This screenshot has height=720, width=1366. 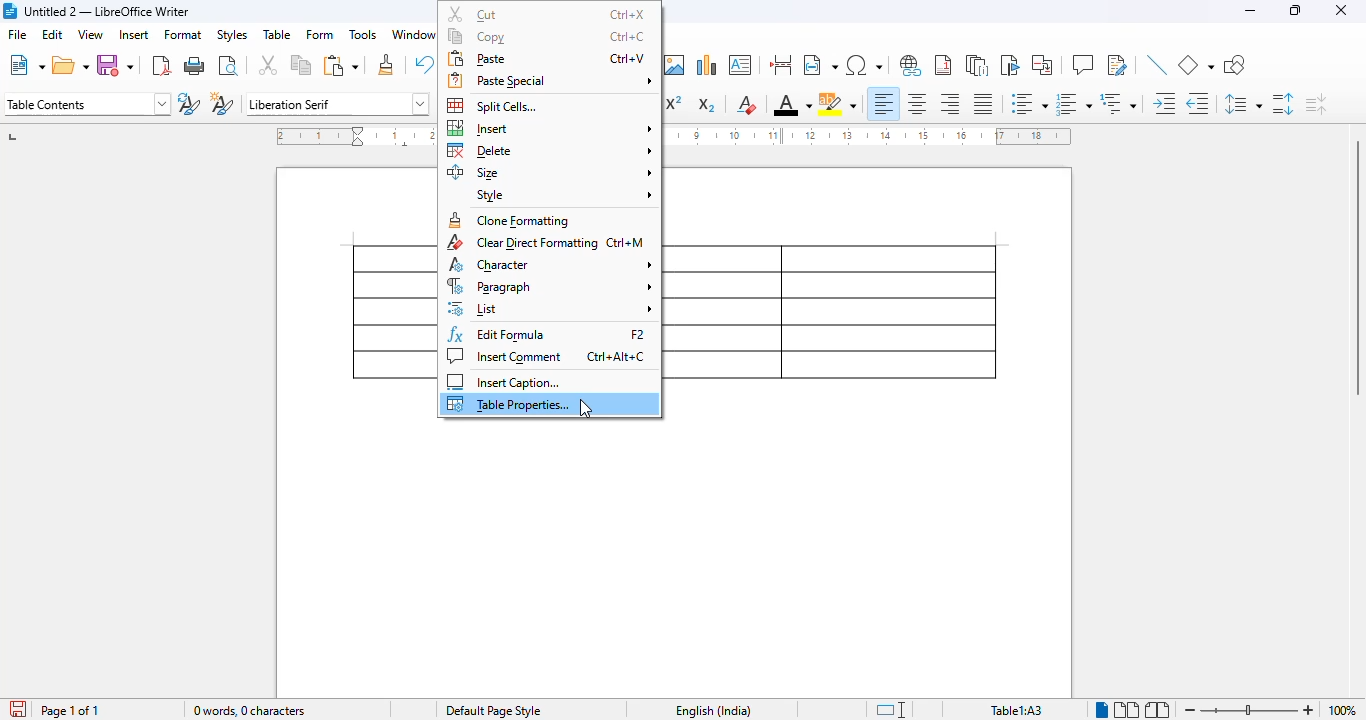 I want to click on decrease paragraph spacing, so click(x=1316, y=104).